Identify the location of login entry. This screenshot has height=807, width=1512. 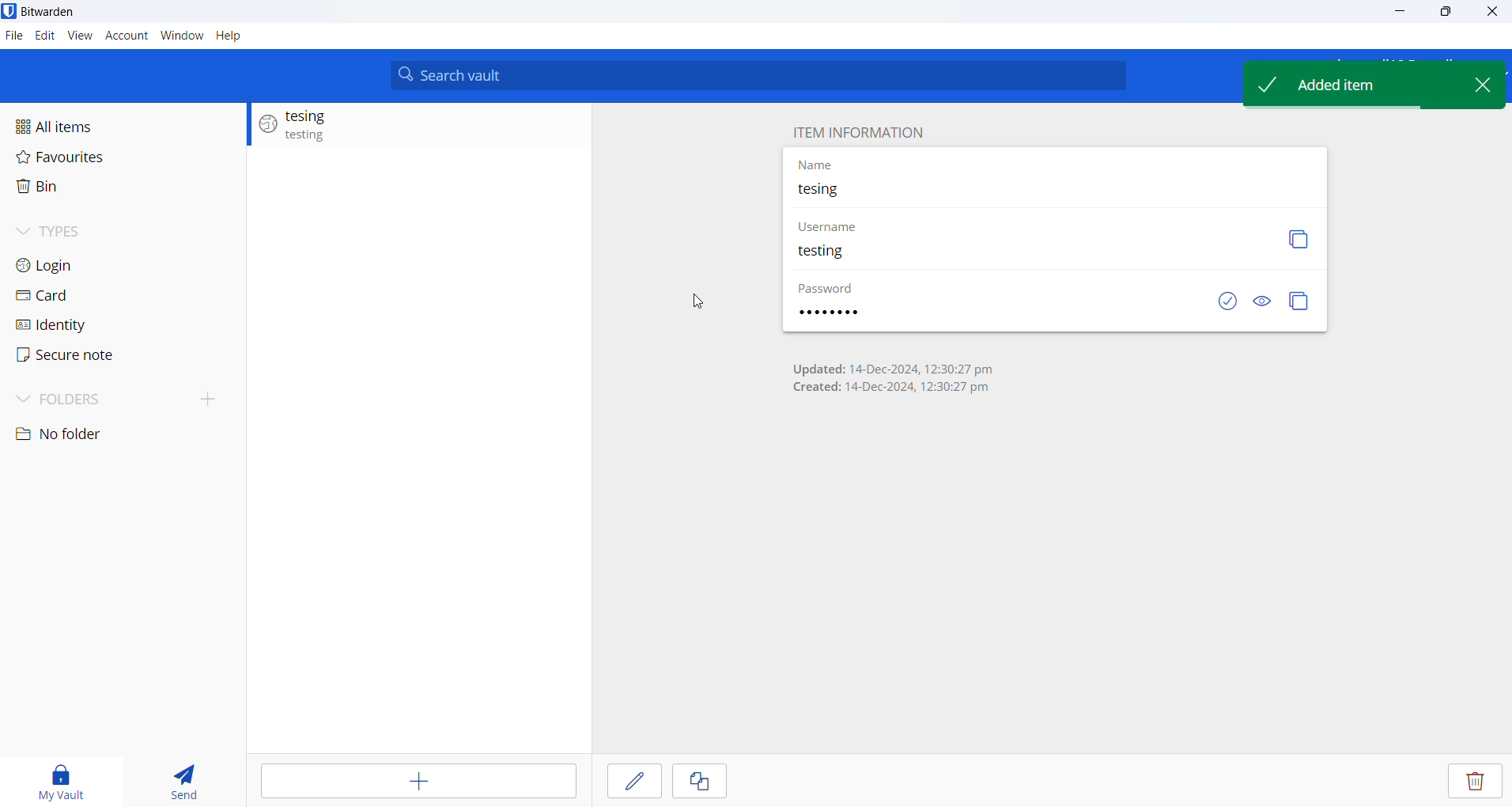
(419, 127).